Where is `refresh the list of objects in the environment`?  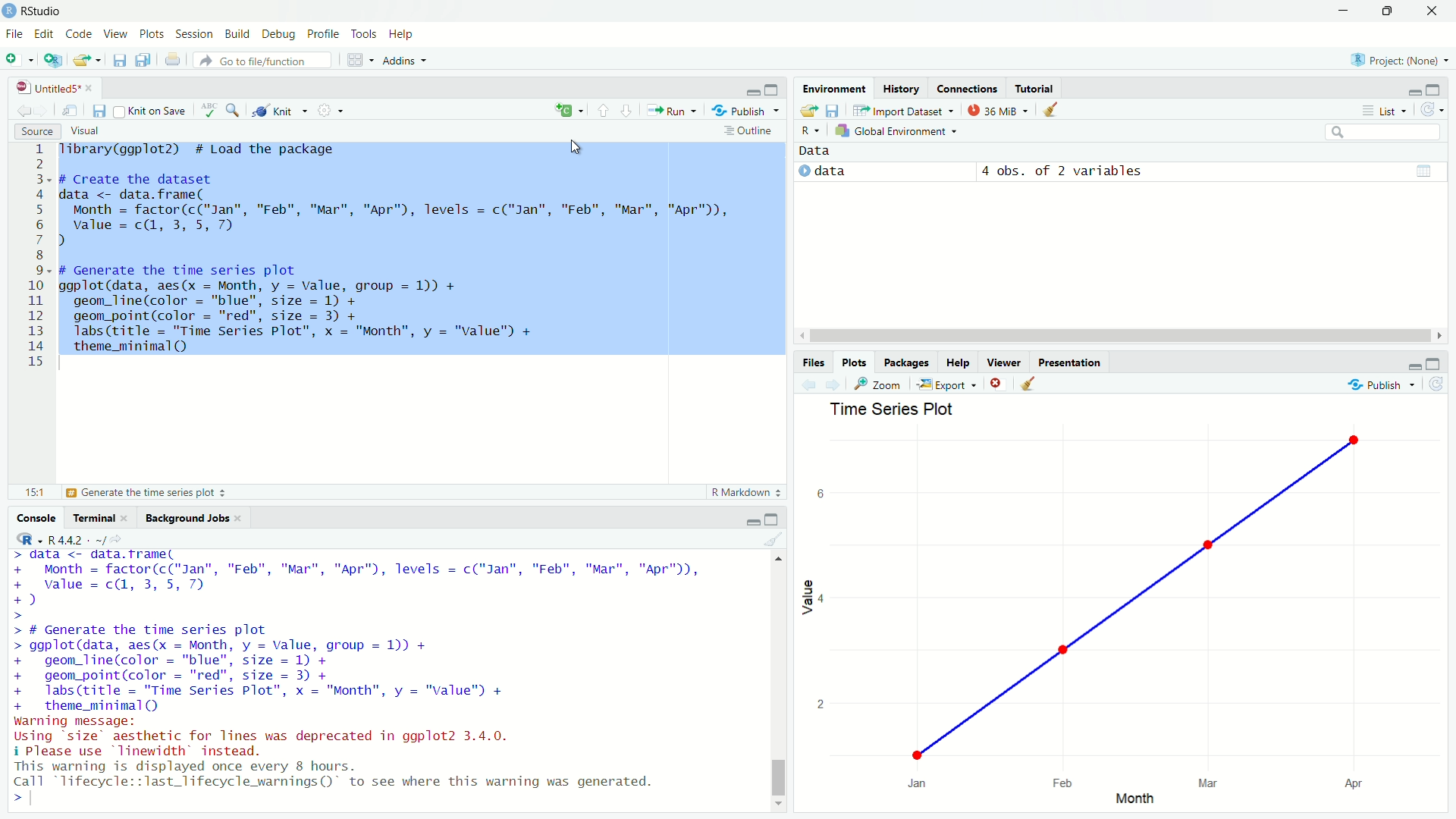 refresh the list of objects in the environment is located at coordinates (1437, 111).